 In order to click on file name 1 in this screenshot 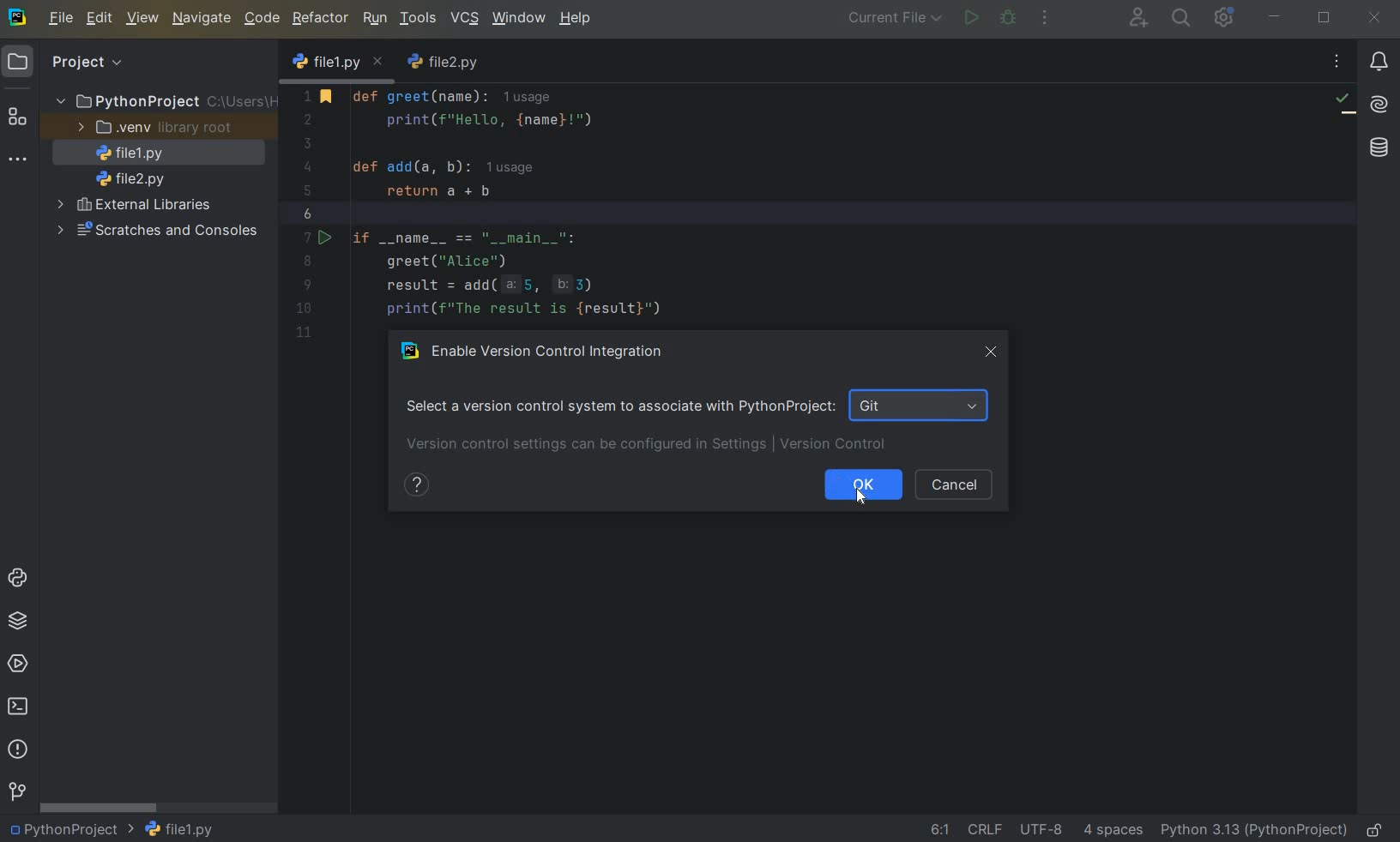, I will do `click(125, 153)`.